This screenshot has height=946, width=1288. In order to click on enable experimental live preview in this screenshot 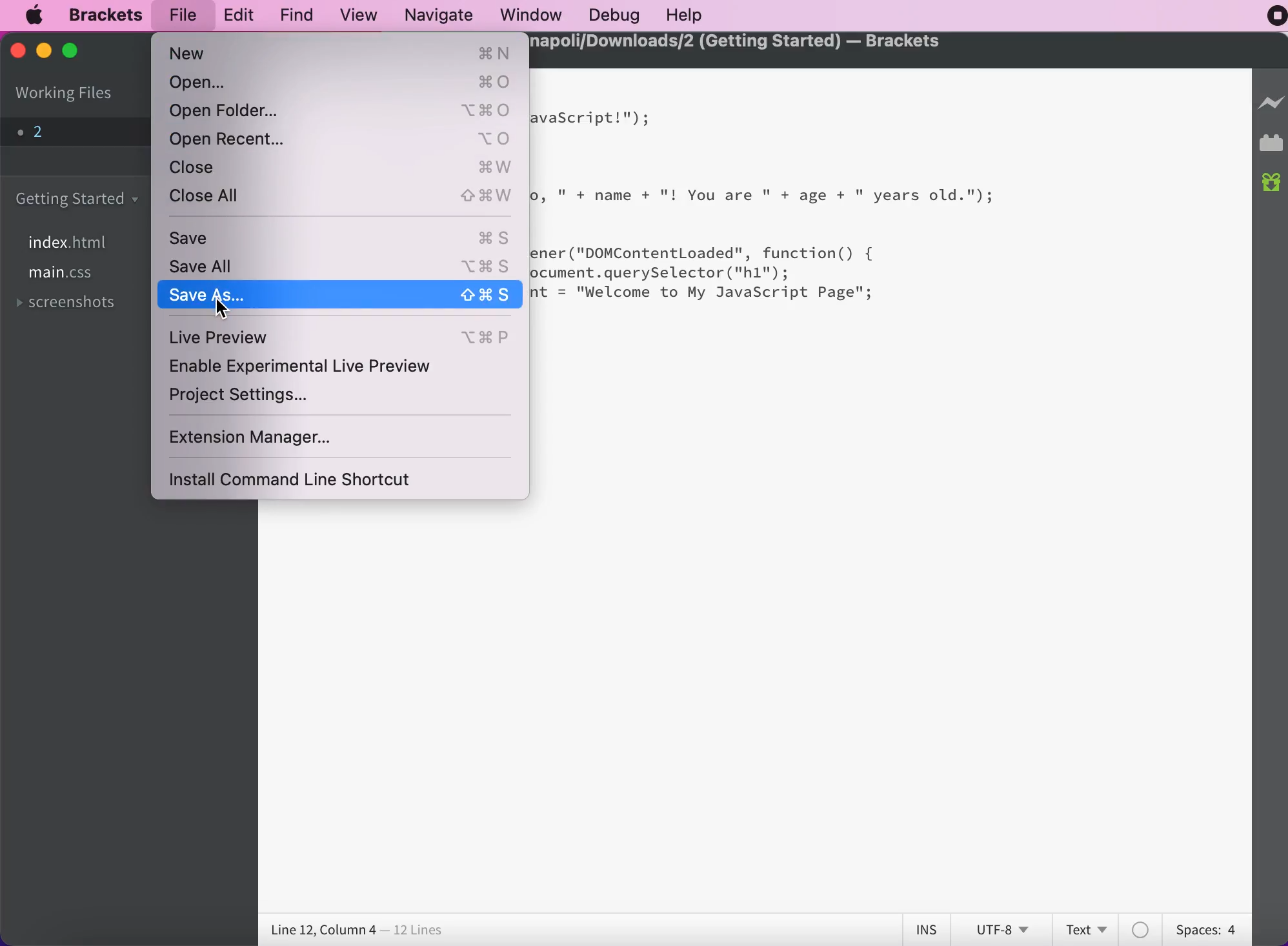, I will do `click(319, 370)`.